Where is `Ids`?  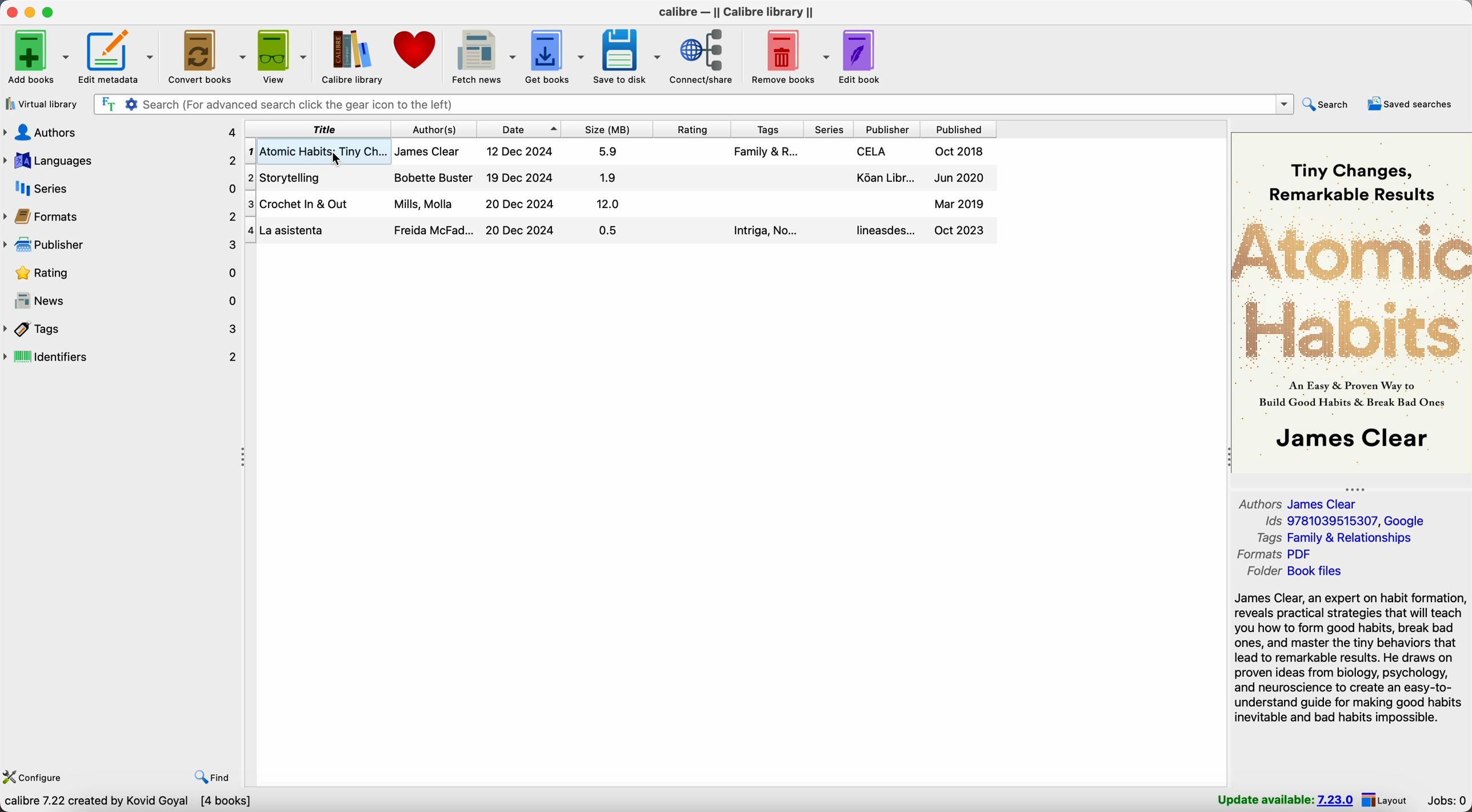 Ids is located at coordinates (1342, 522).